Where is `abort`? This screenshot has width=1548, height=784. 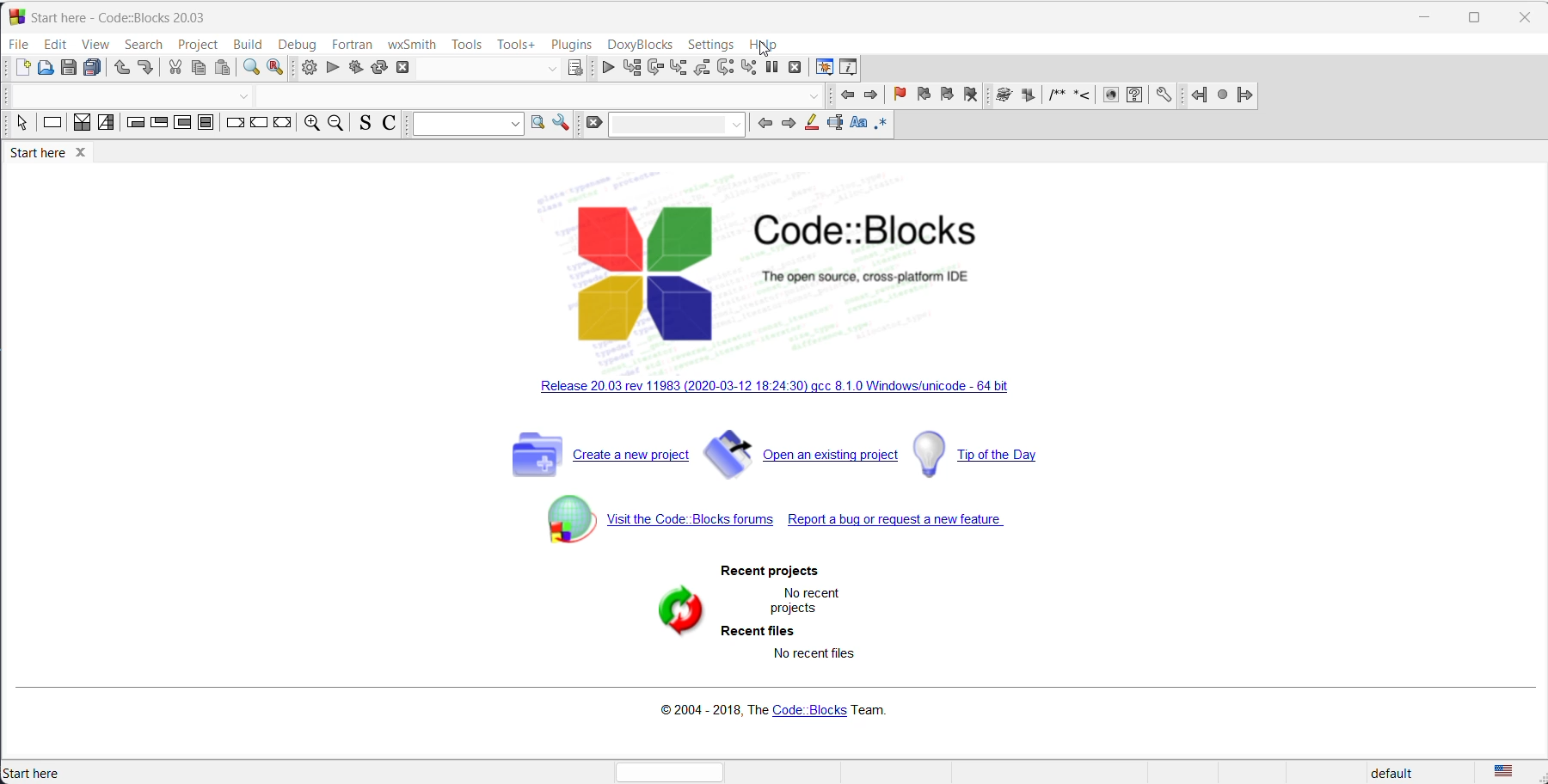 abort is located at coordinates (409, 69).